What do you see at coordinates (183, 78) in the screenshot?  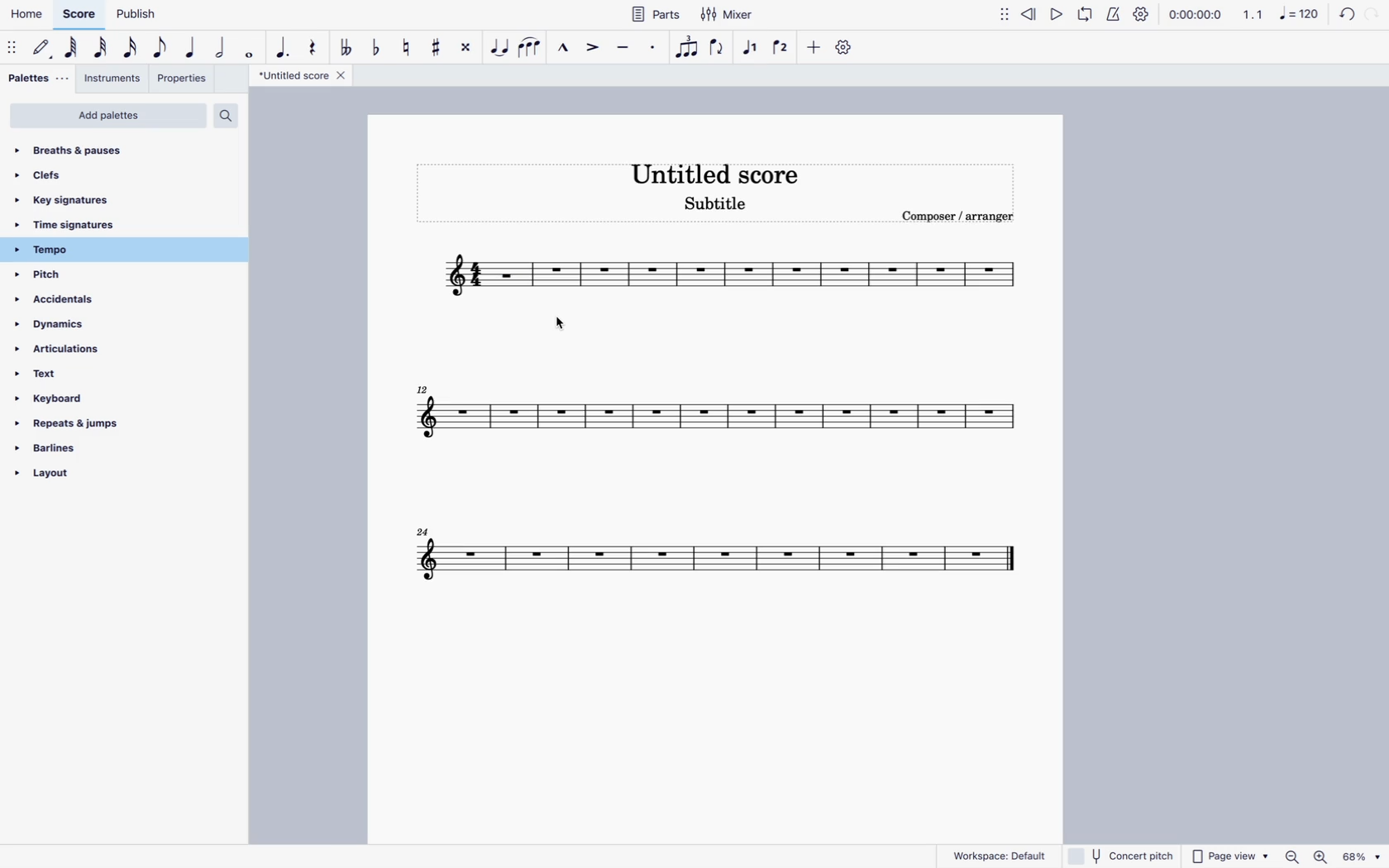 I see `properties` at bounding box center [183, 78].